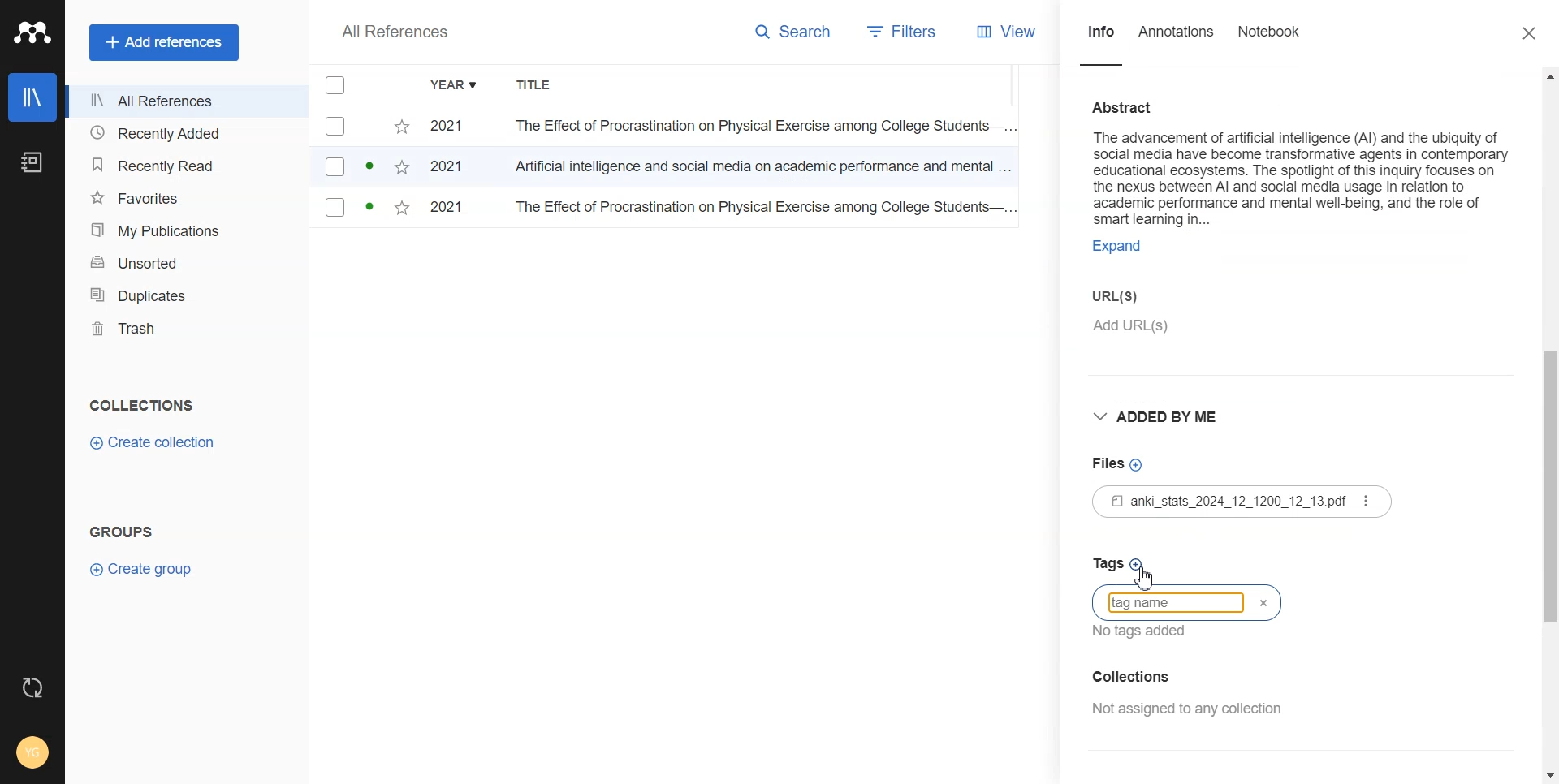 The height and width of the screenshot is (784, 1559). Describe the element at coordinates (1170, 564) in the screenshot. I see `Add Tag` at that location.